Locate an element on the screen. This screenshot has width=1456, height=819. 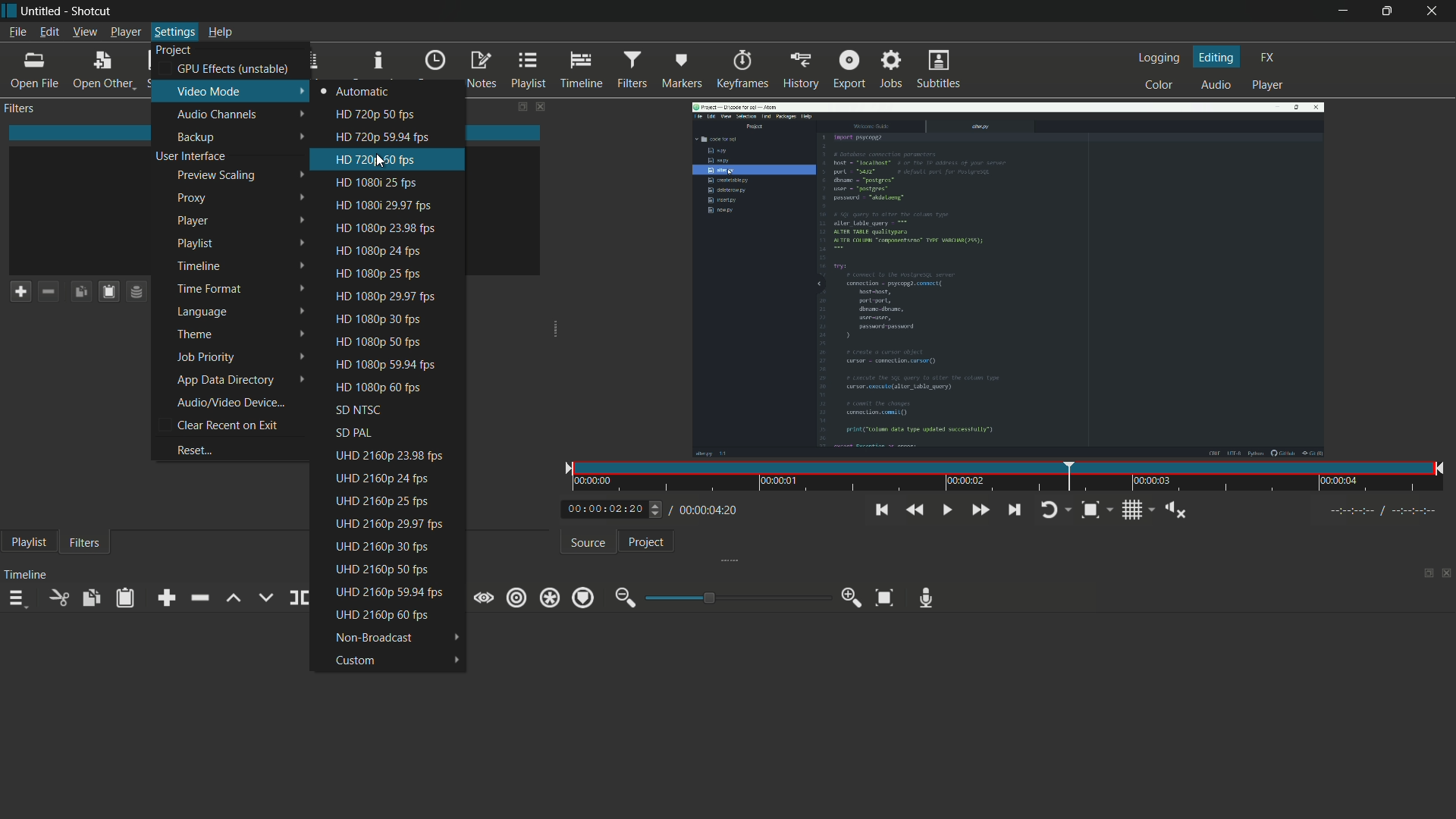
properties is located at coordinates (376, 64).